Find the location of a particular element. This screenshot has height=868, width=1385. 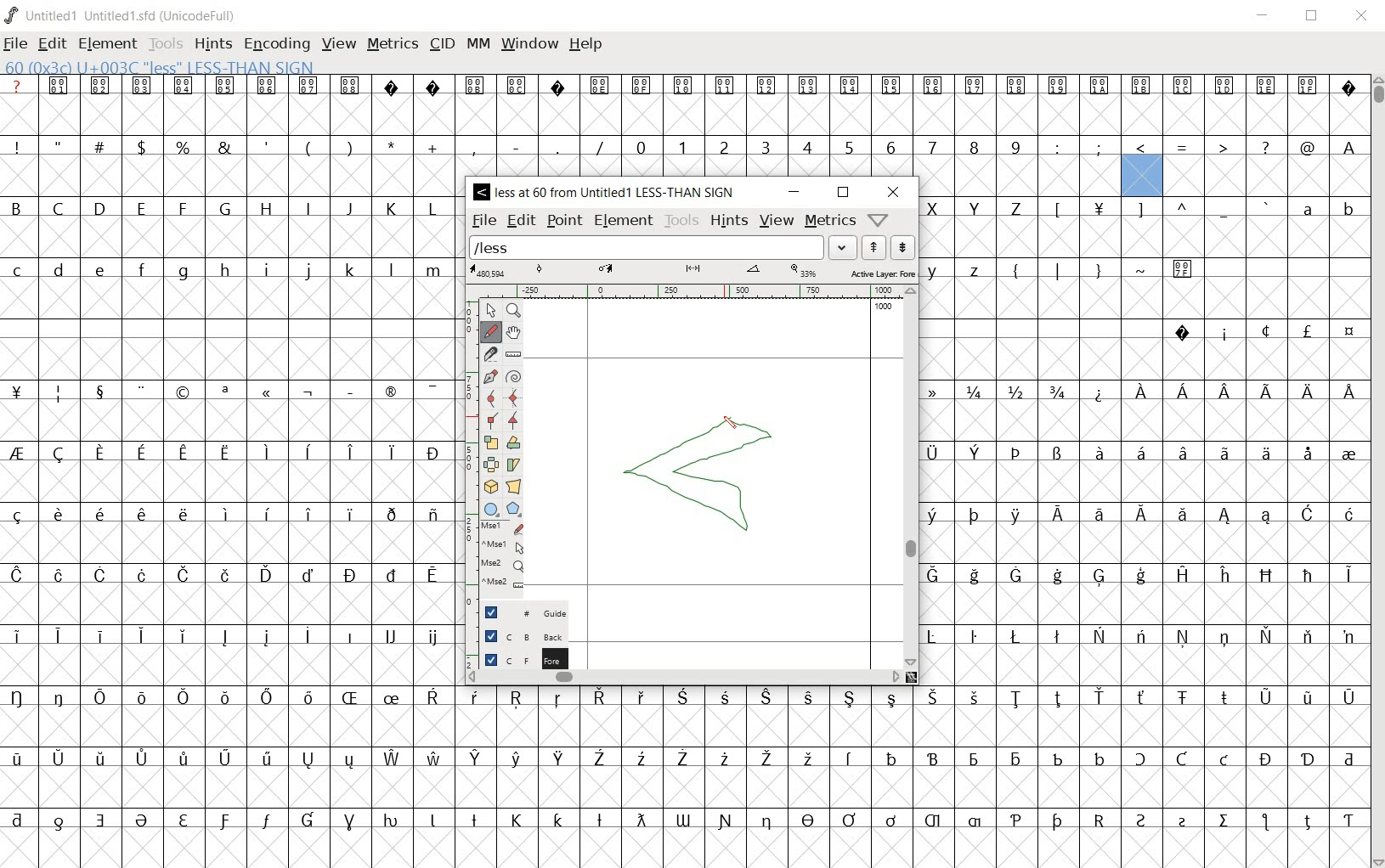

rotate the selection in 3D and project back to plane is located at coordinates (490, 487).